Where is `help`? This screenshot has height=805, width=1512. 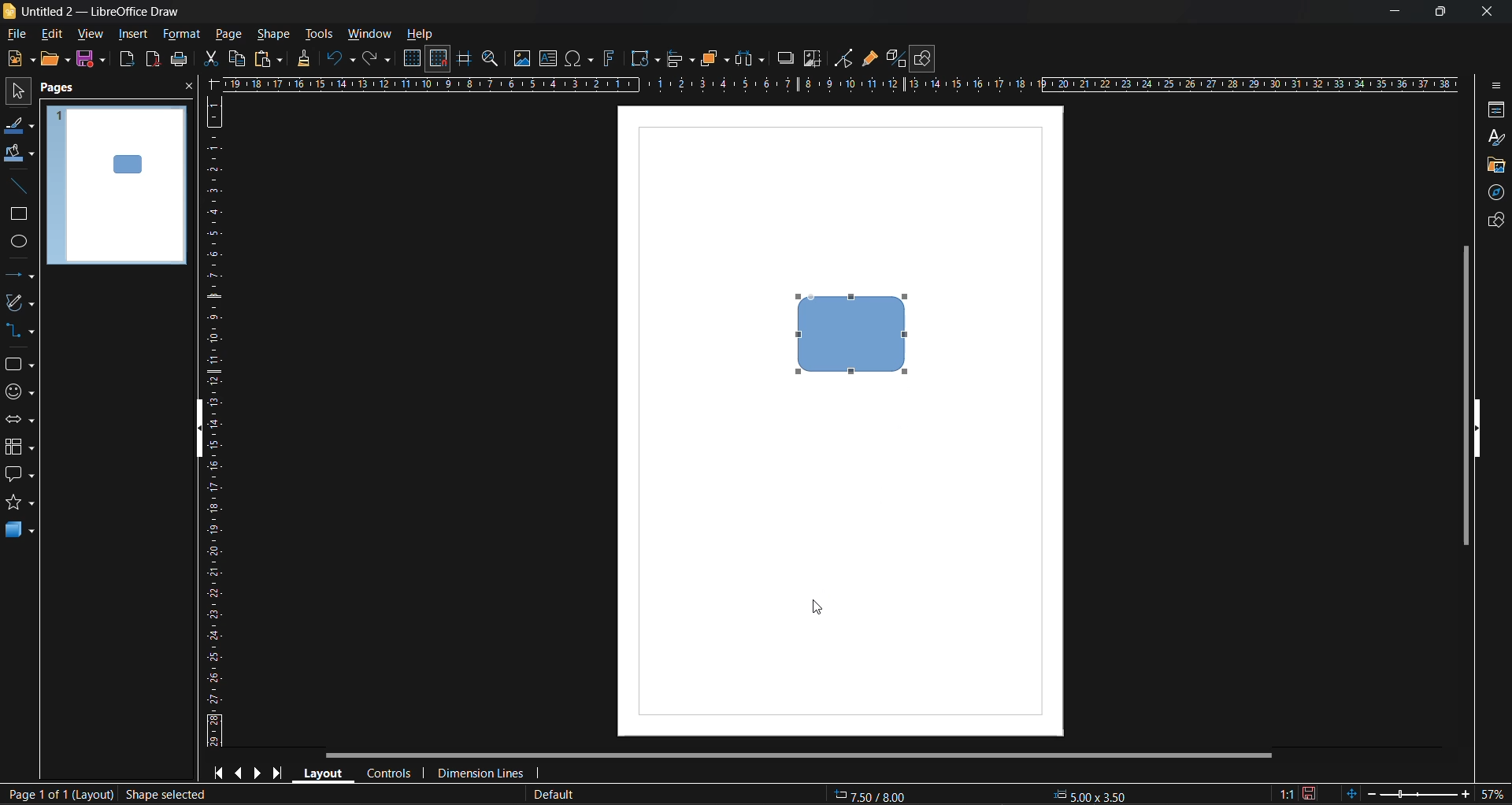 help is located at coordinates (421, 35).